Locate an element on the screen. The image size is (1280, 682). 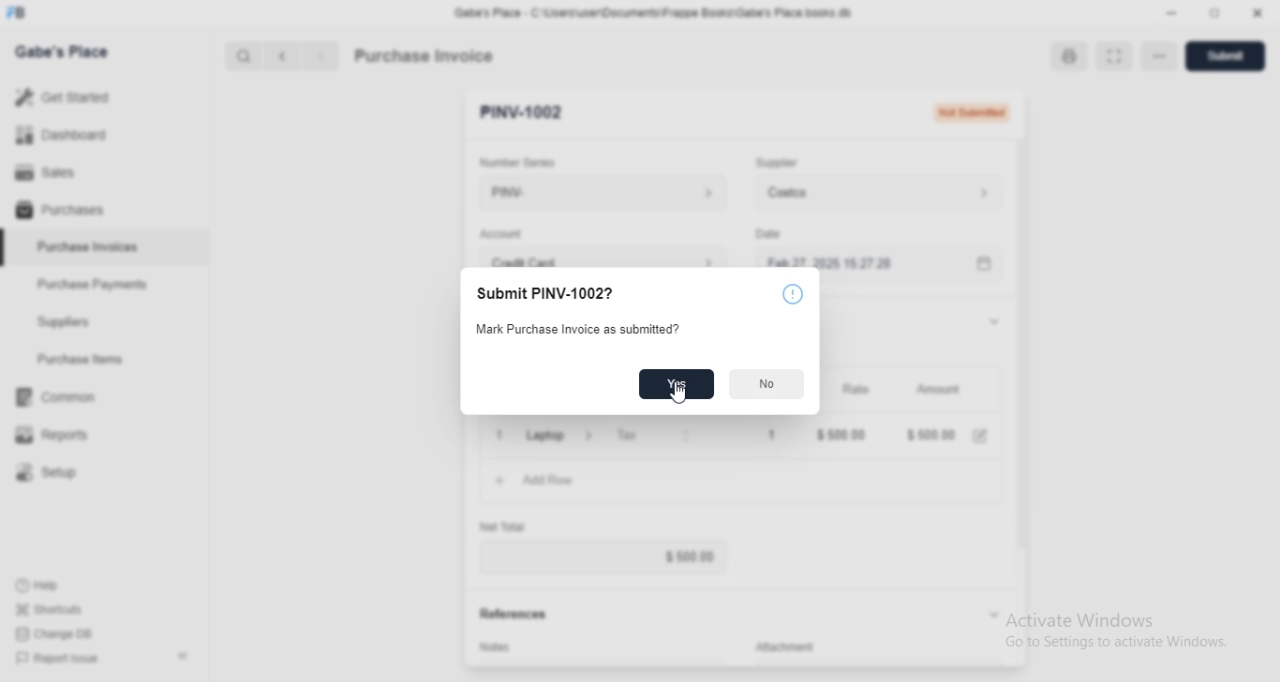
Add invoice terms is located at coordinates (603, 662).